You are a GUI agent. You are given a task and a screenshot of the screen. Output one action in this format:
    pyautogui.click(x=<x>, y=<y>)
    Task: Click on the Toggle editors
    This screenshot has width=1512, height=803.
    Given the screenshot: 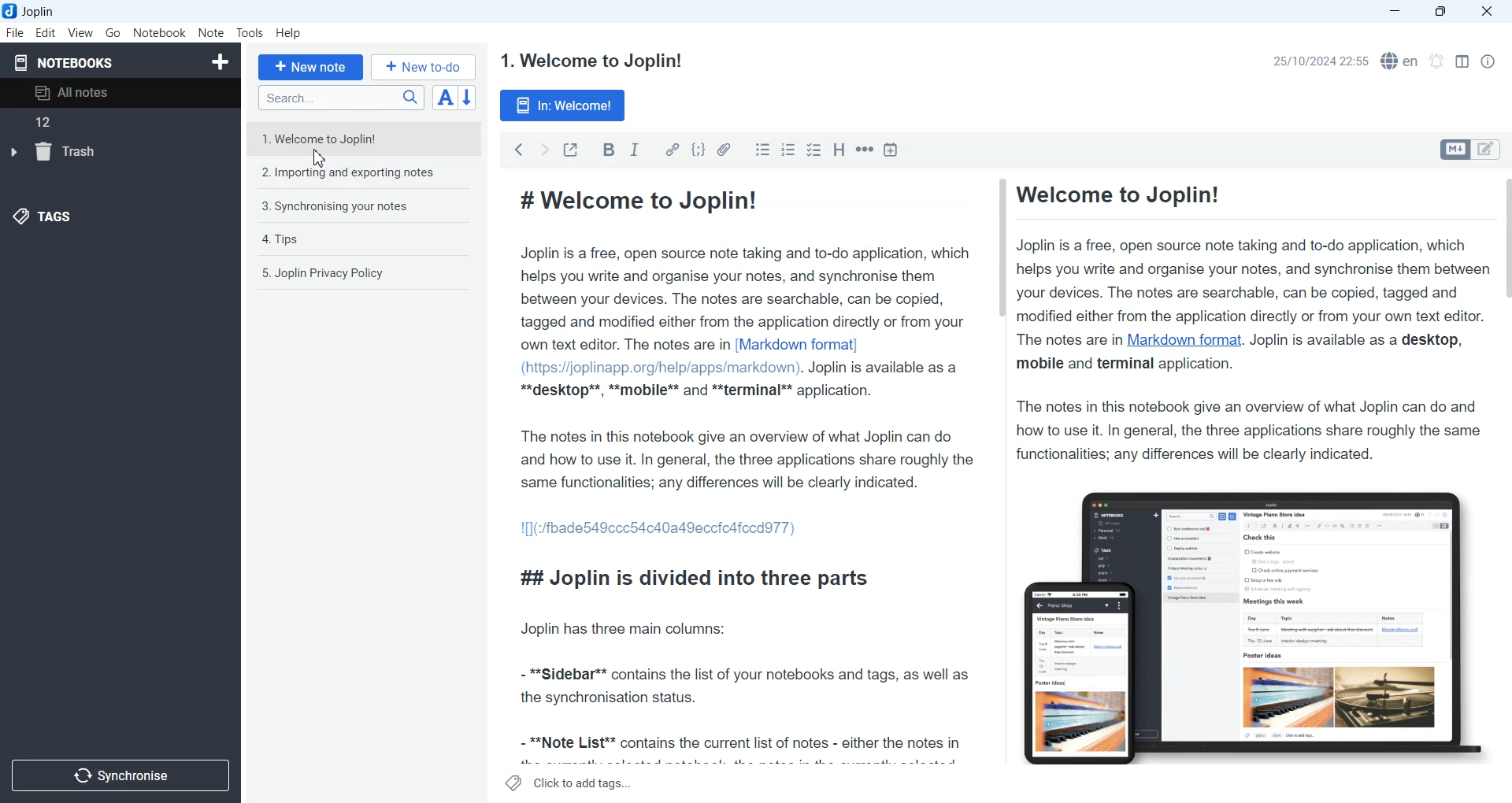 What is the action you would take?
    pyautogui.click(x=1454, y=150)
    